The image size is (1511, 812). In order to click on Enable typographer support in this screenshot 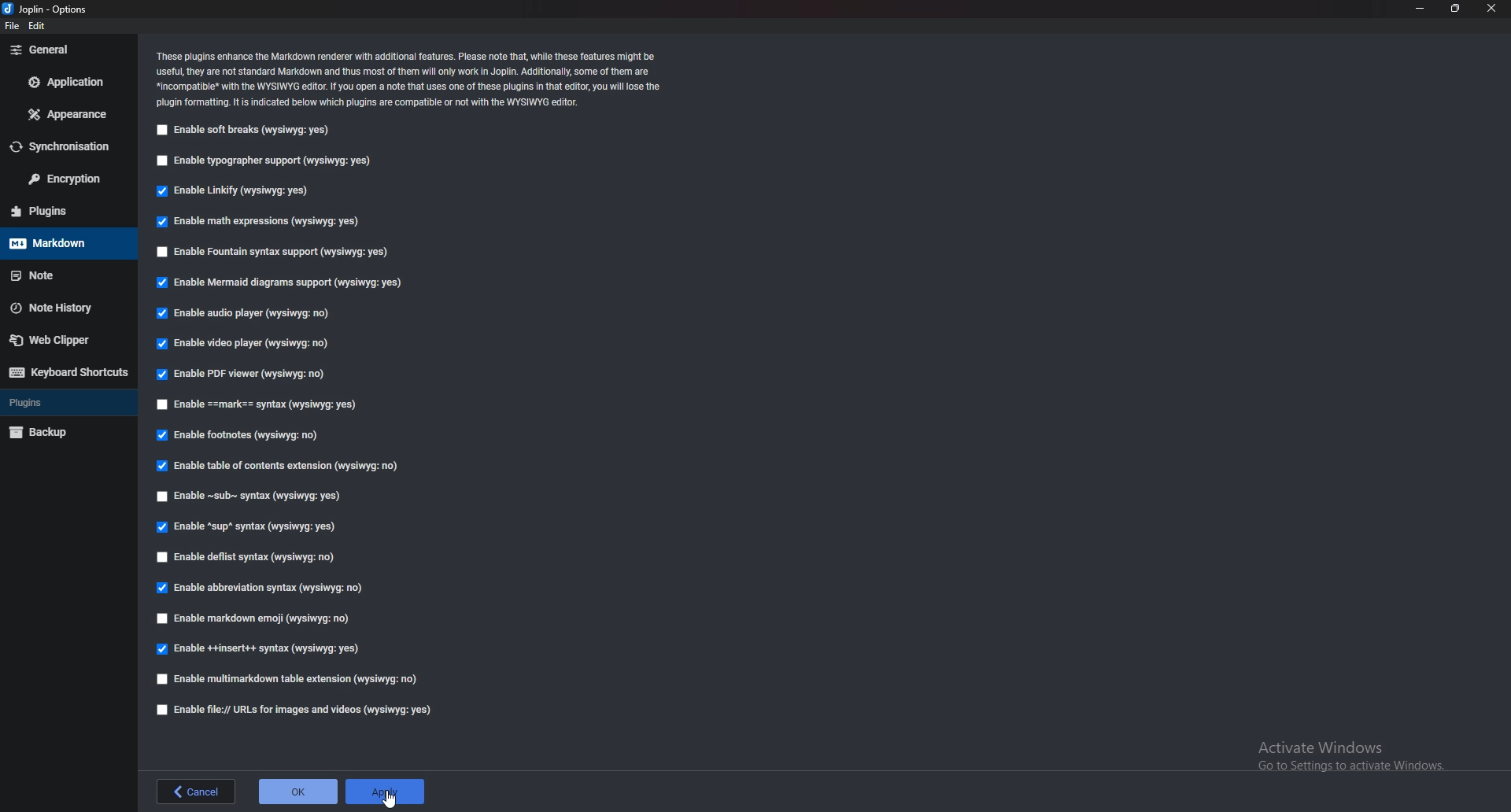, I will do `click(272, 160)`.